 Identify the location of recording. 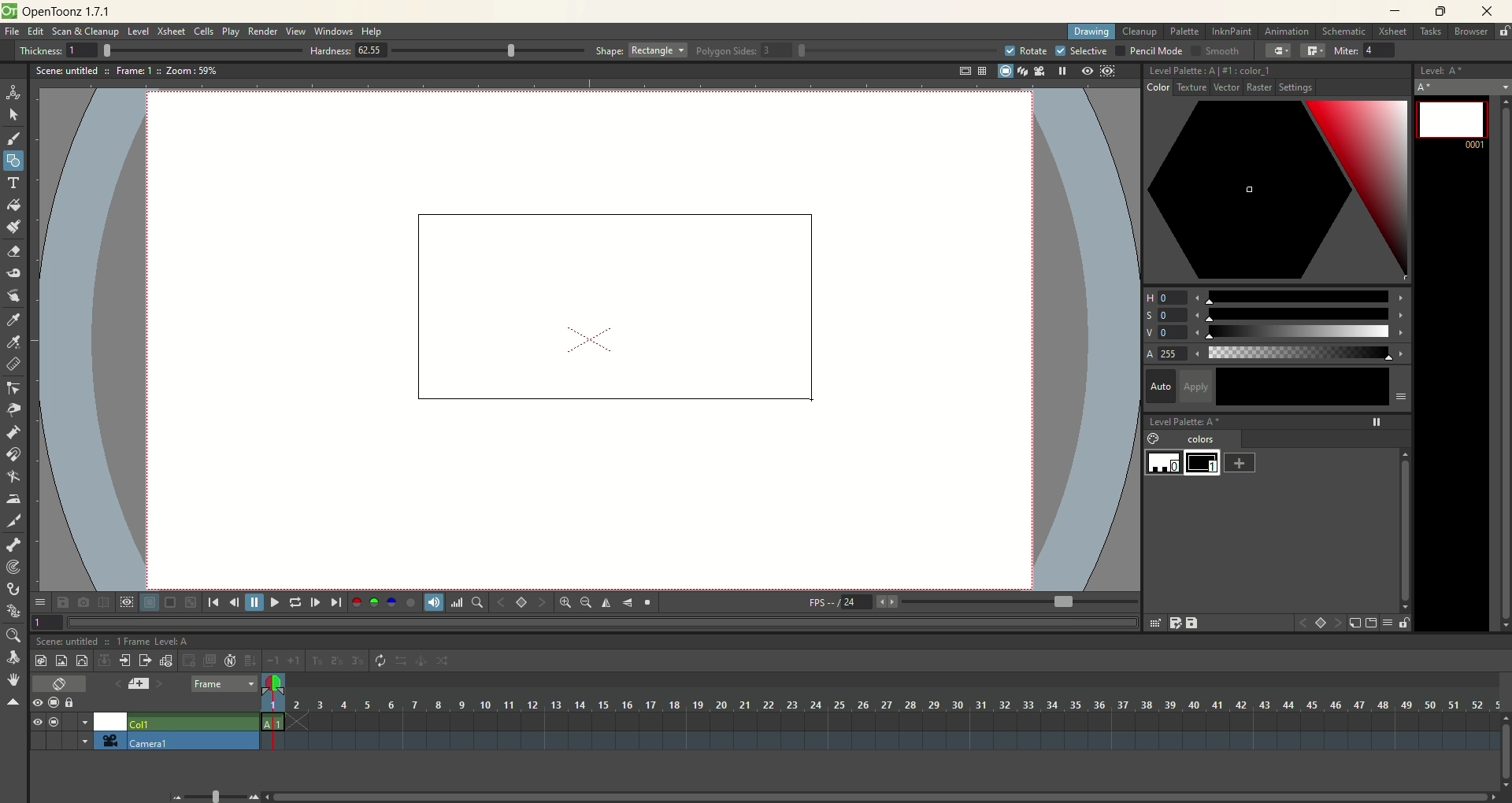
(85, 722).